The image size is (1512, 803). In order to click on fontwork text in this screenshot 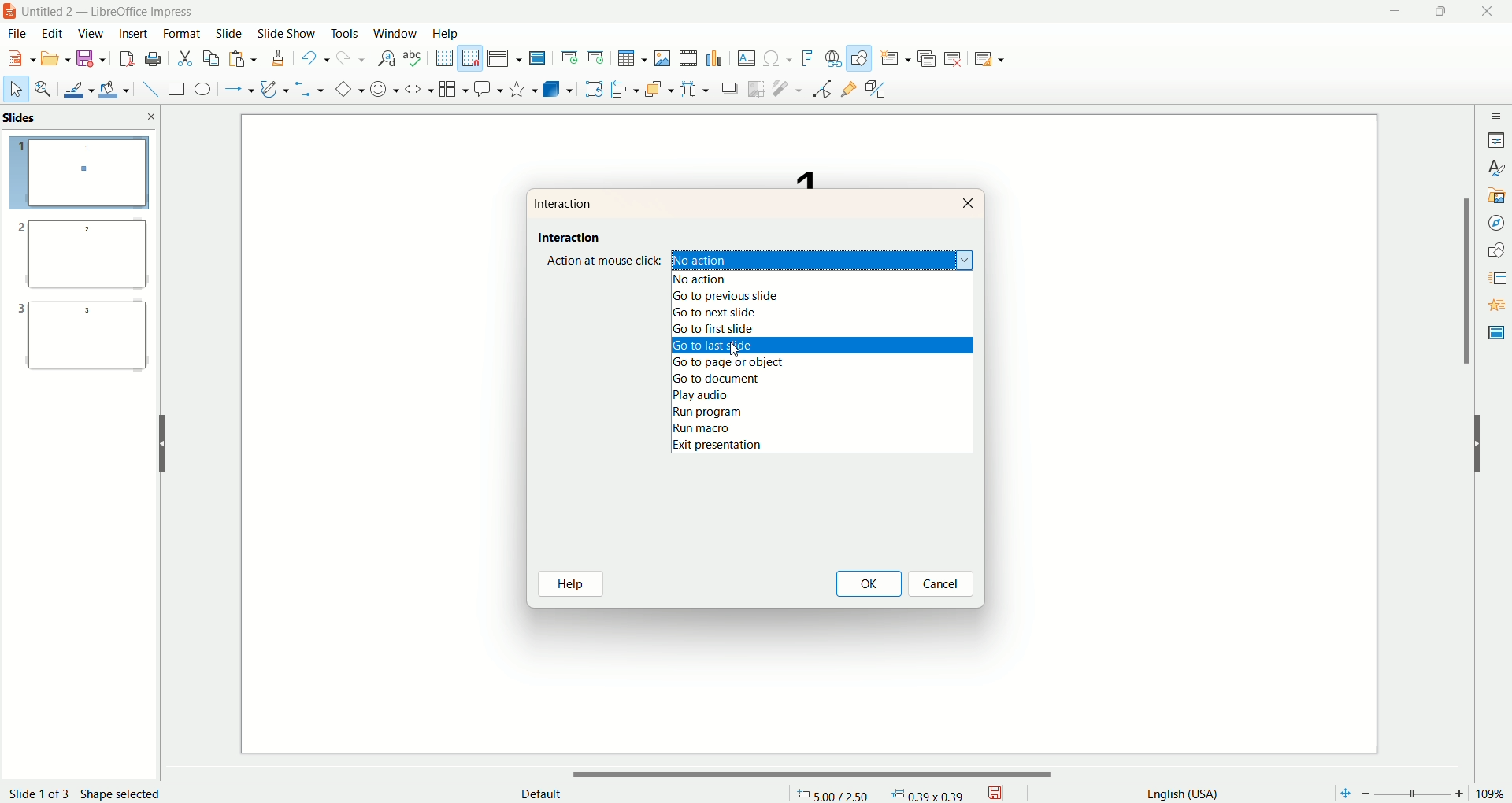, I will do `click(805, 57)`.